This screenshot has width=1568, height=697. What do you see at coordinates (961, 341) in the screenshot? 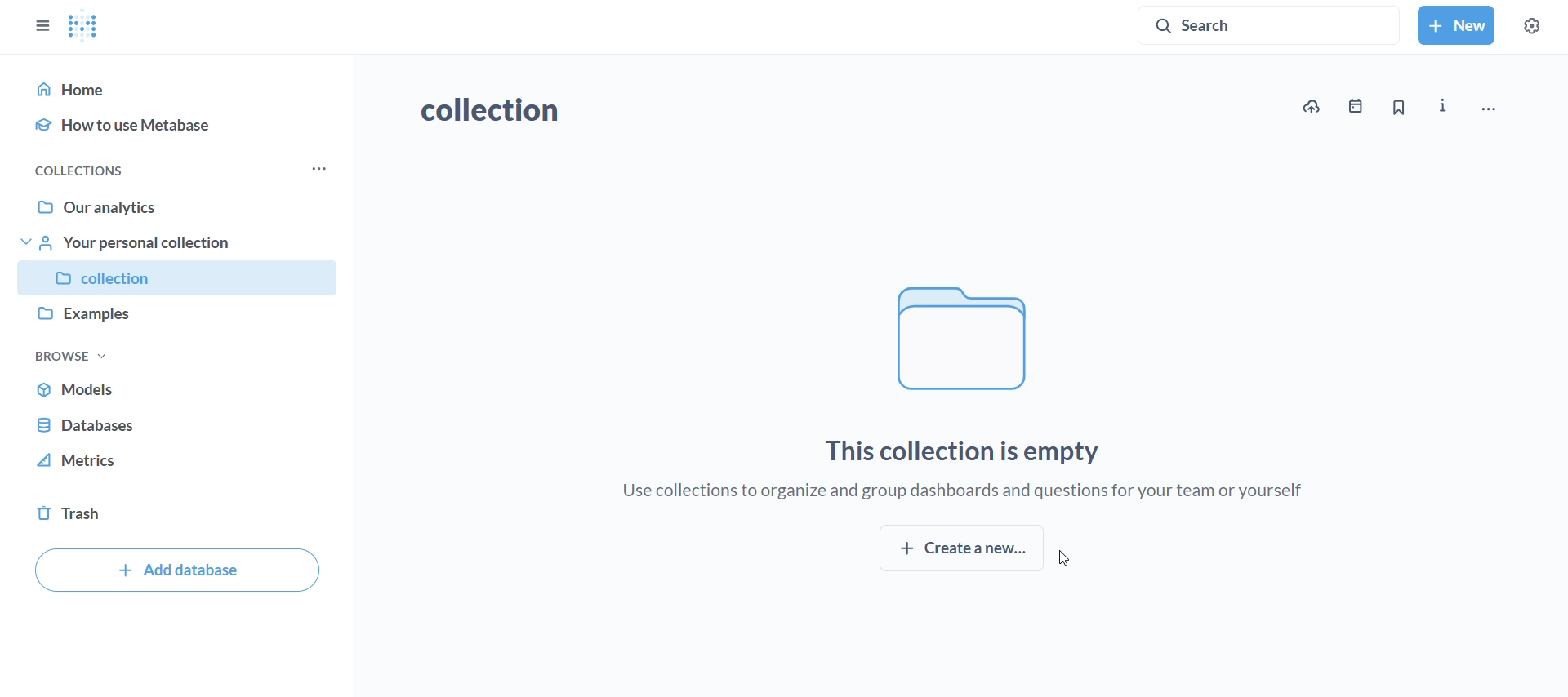
I see `file logo` at bounding box center [961, 341].